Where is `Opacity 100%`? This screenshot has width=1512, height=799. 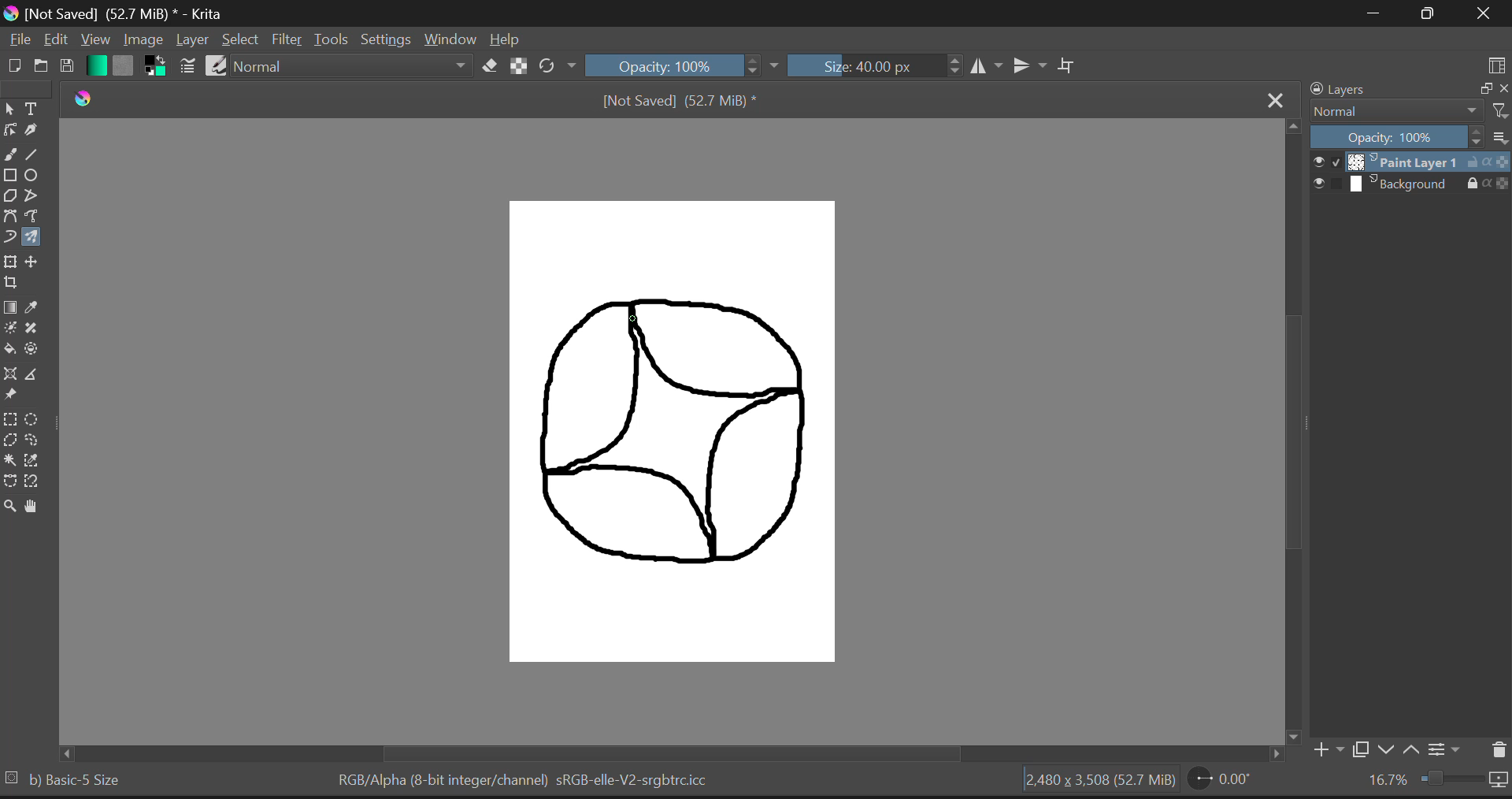 Opacity 100% is located at coordinates (1397, 138).